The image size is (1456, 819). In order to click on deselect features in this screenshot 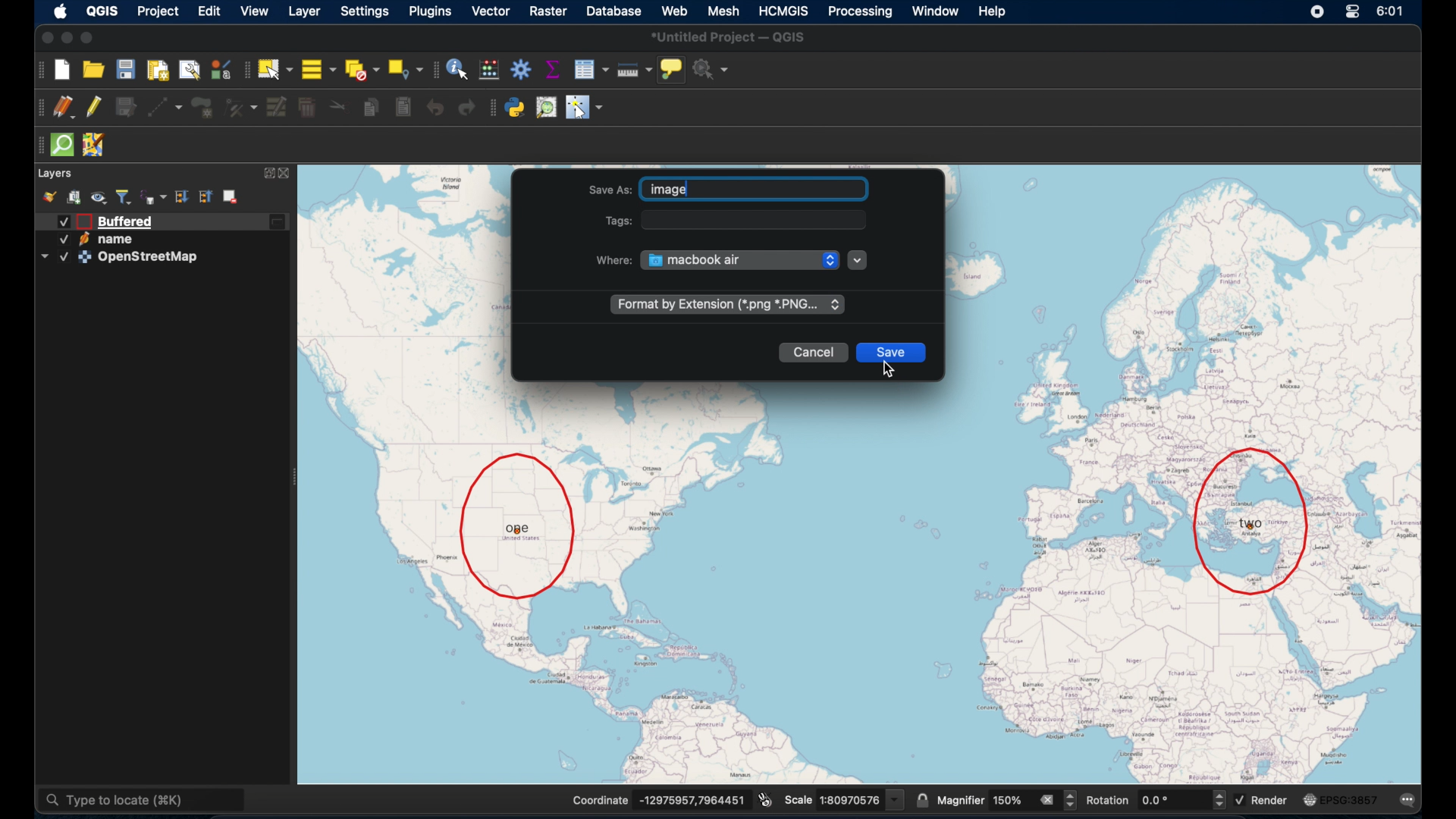, I will do `click(361, 68)`.